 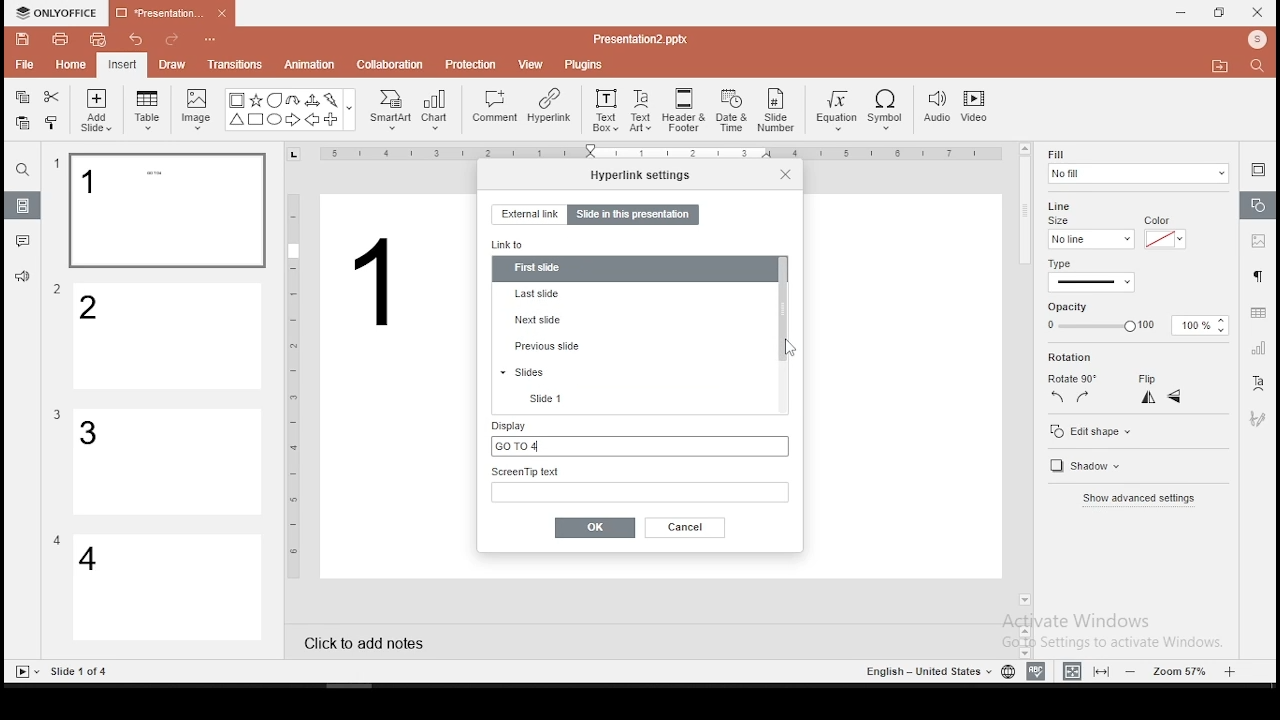 What do you see at coordinates (632, 269) in the screenshot?
I see `first slide` at bounding box center [632, 269].